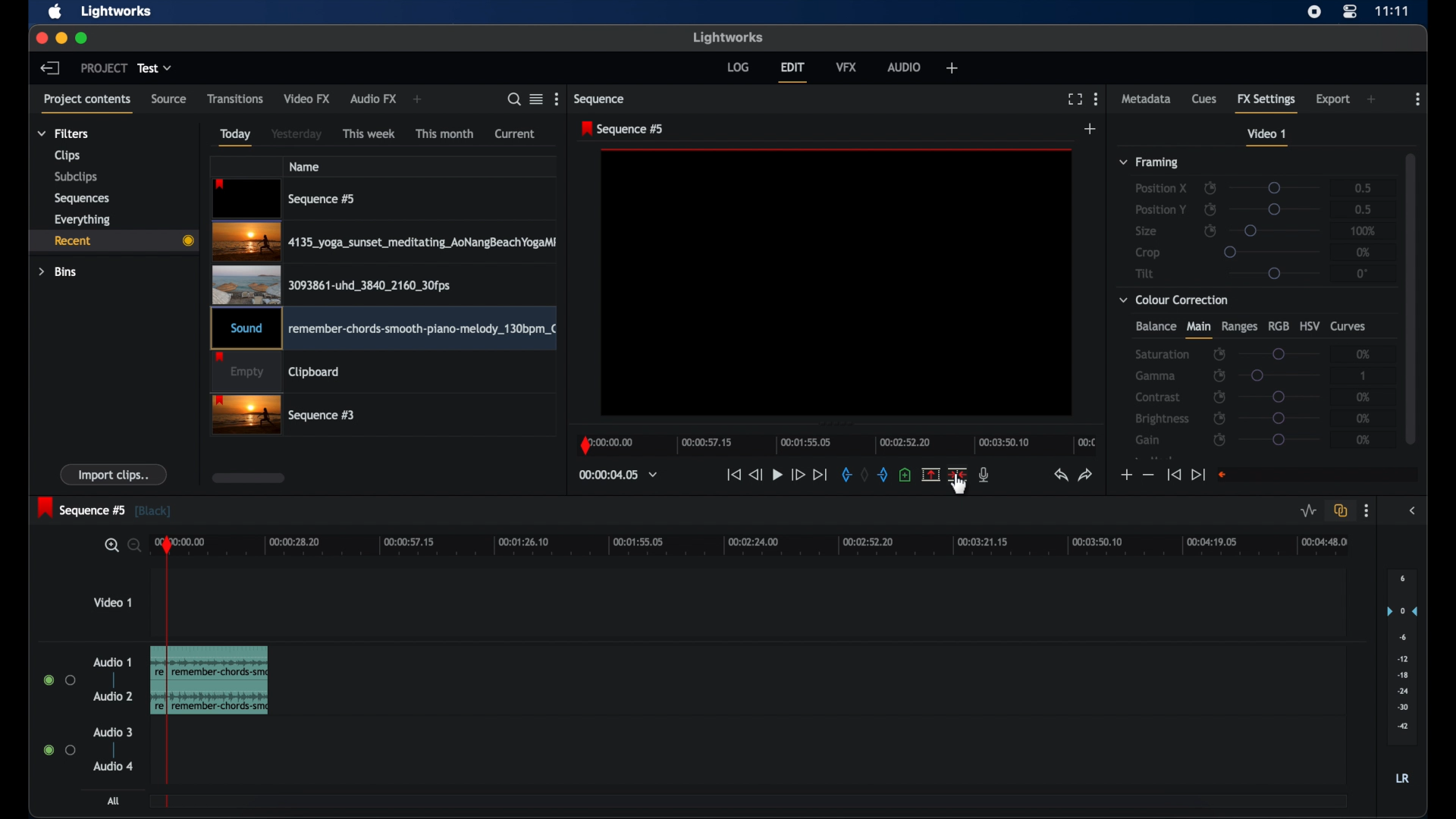 Image resolution: width=1456 pixels, height=819 pixels. I want to click on add, so click(952, 67).